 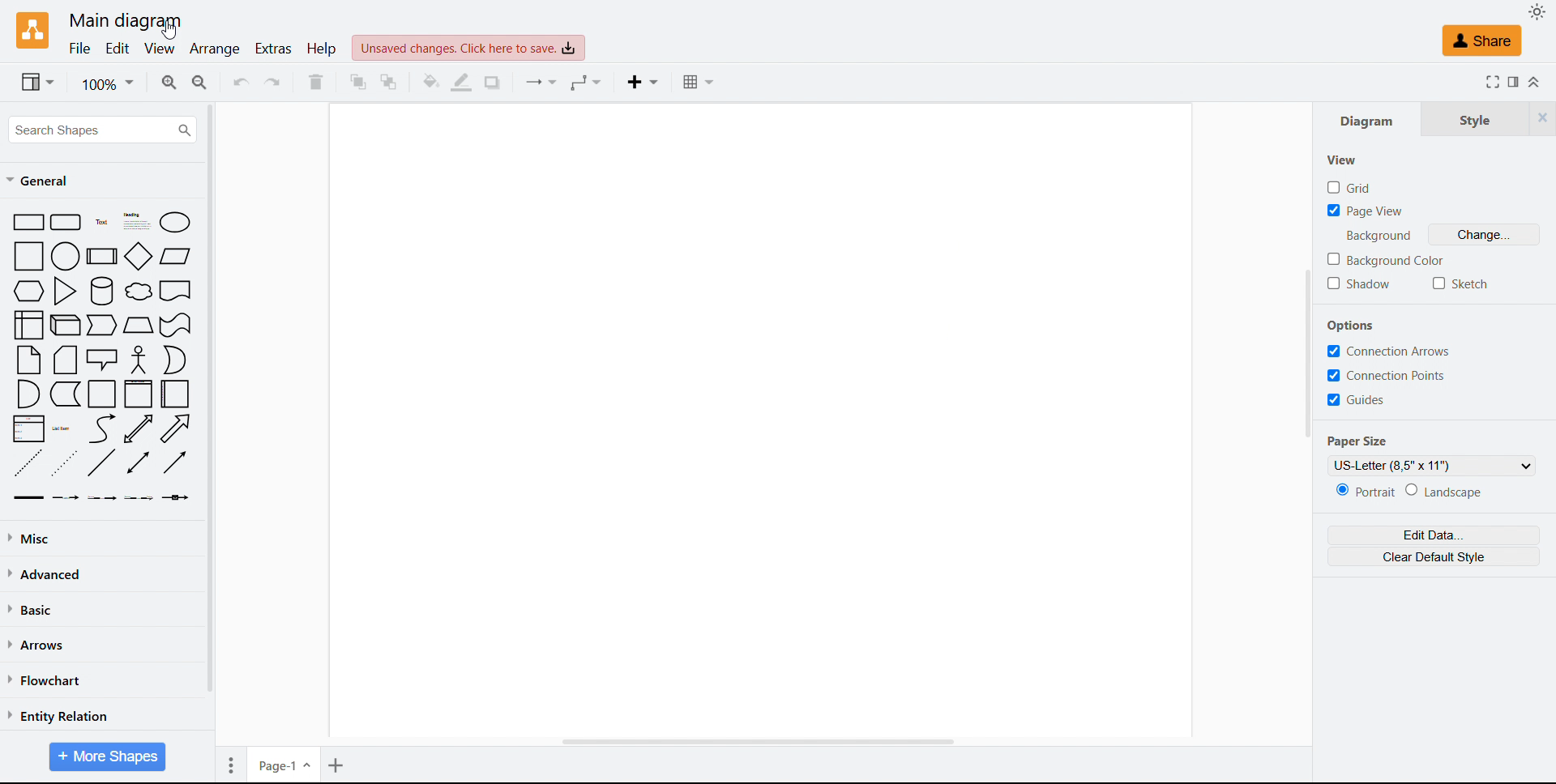 I want to click on Redo , so click(x=273, y=83).